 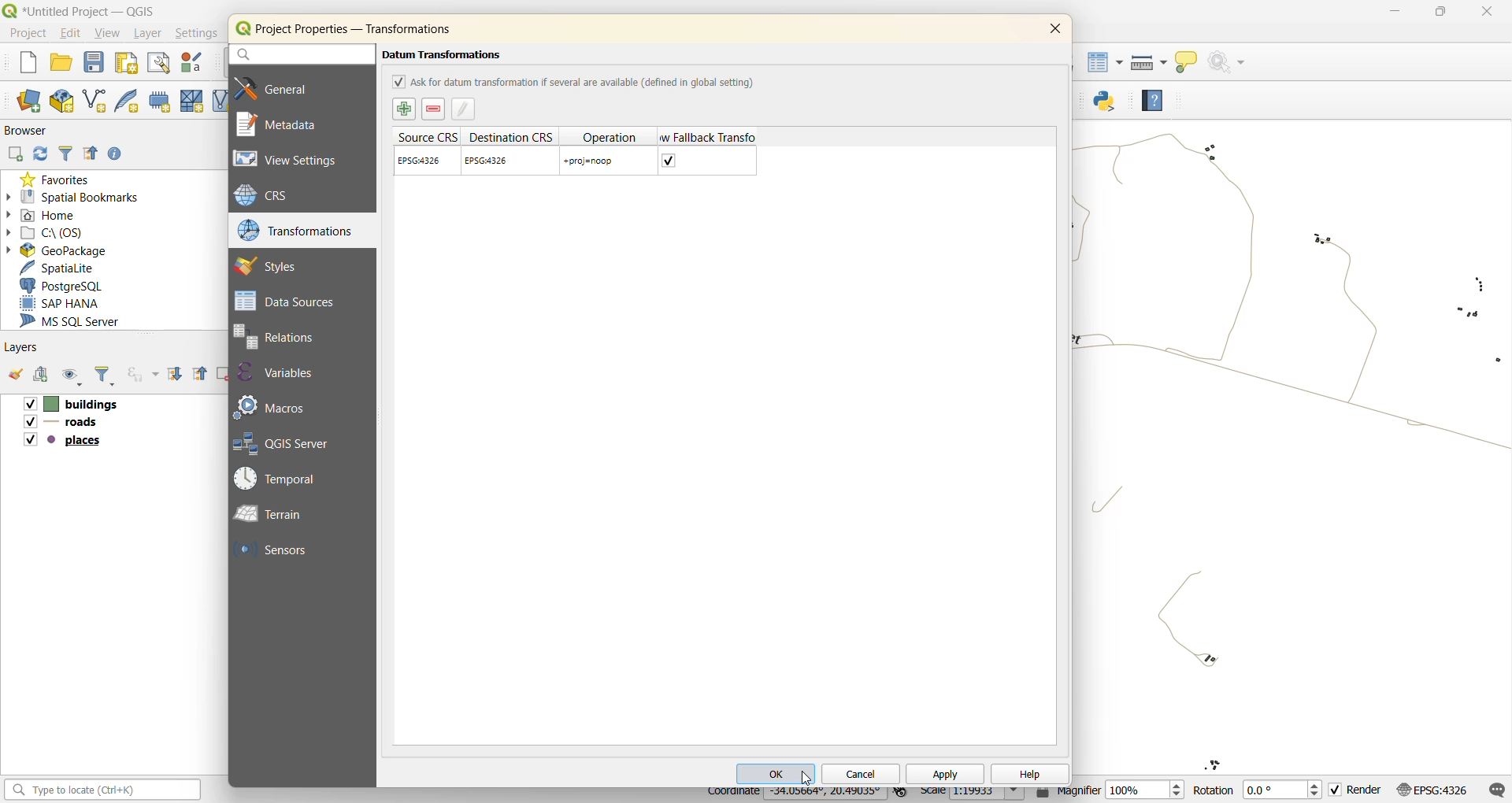 What do you see at coordinates (902, 794) in the screenshot?
I see `toggle extents` at bounding box center [902, 794].